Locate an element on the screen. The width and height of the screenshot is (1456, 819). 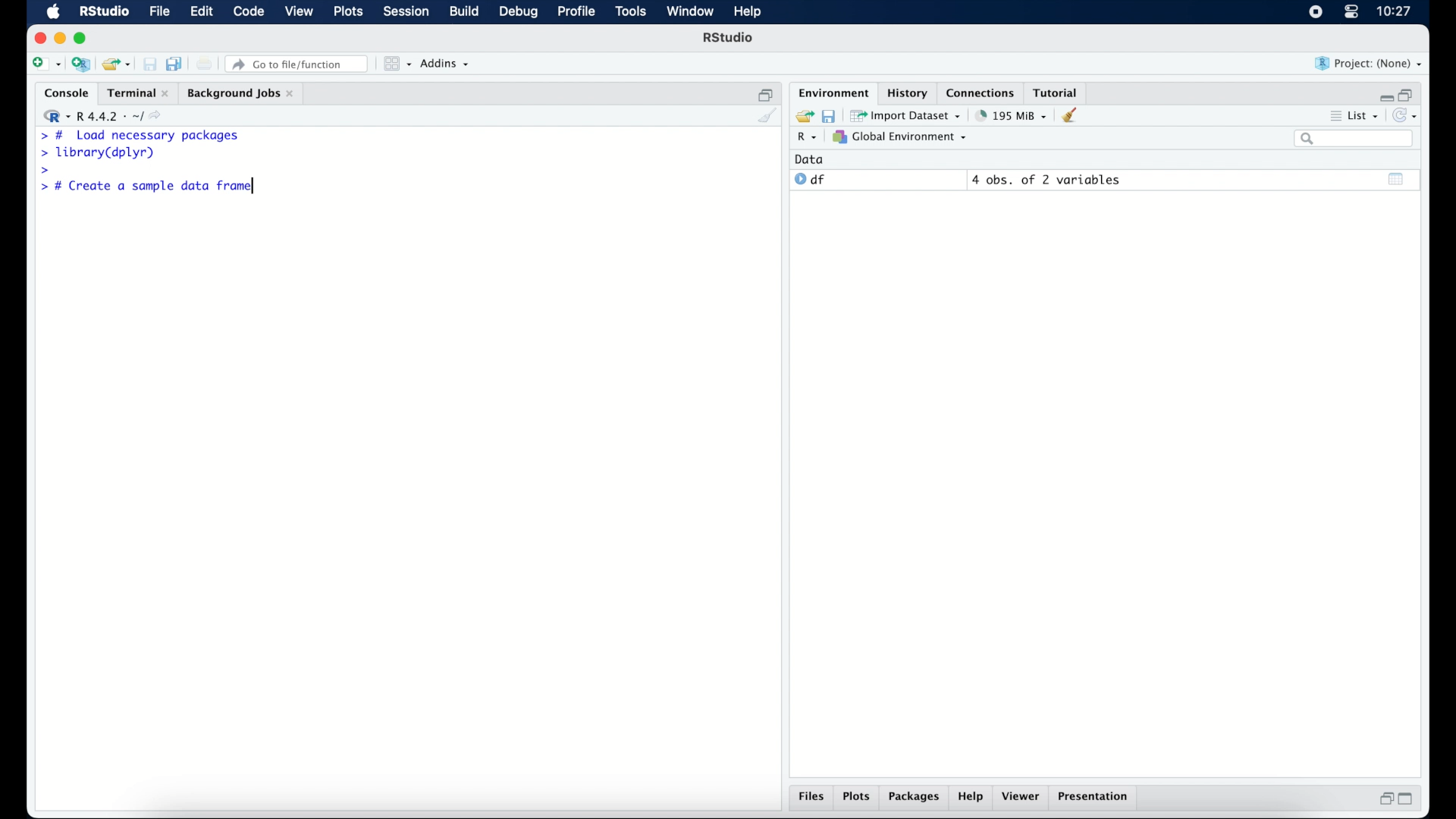
clear workspace is located at coordinates (1075, 116).